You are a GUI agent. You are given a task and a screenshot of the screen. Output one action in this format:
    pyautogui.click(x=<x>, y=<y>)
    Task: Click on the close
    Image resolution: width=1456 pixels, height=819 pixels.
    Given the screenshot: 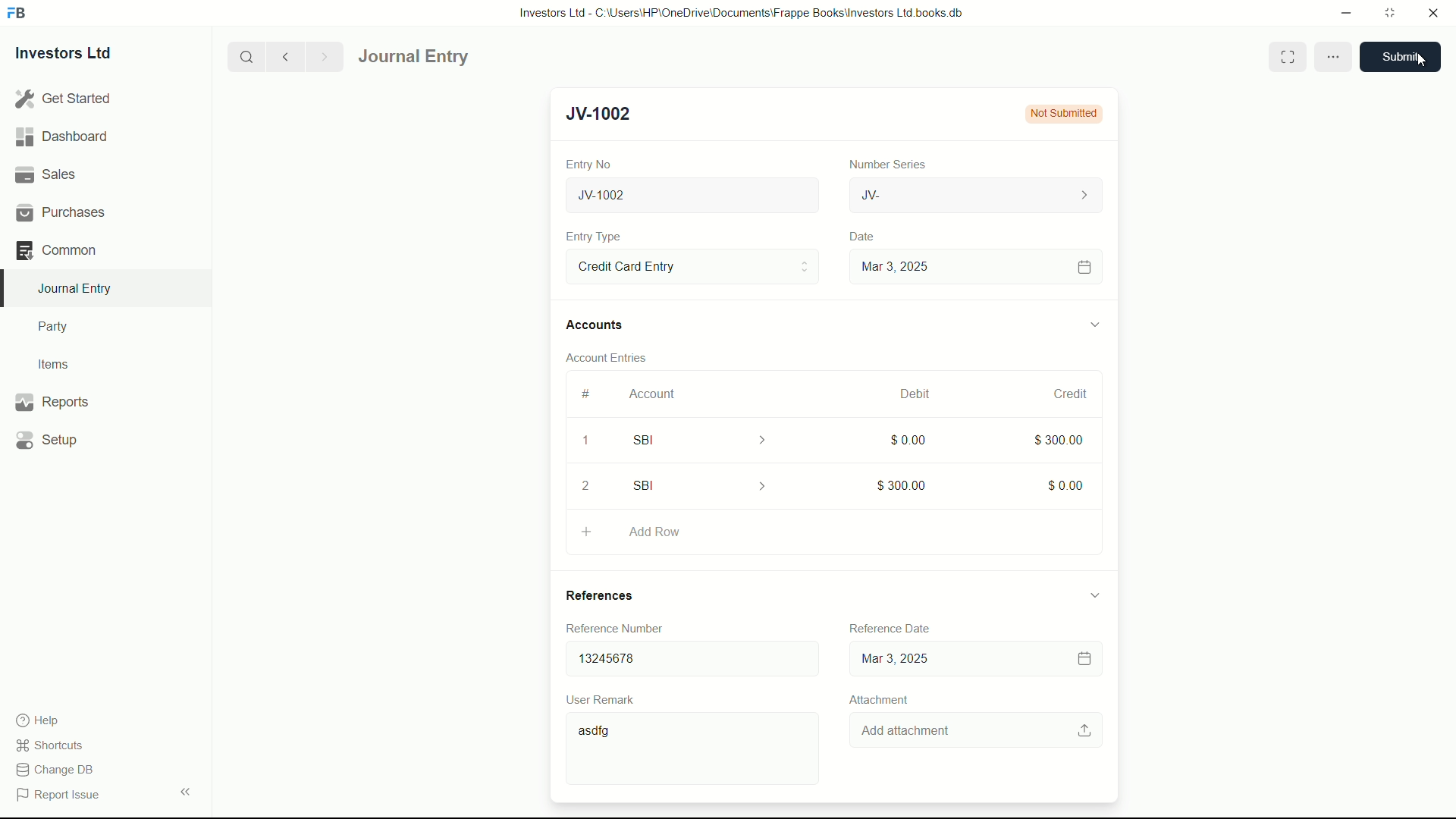 What is the action you would take?
    pyautogui.click(x=1434, y=14)
    